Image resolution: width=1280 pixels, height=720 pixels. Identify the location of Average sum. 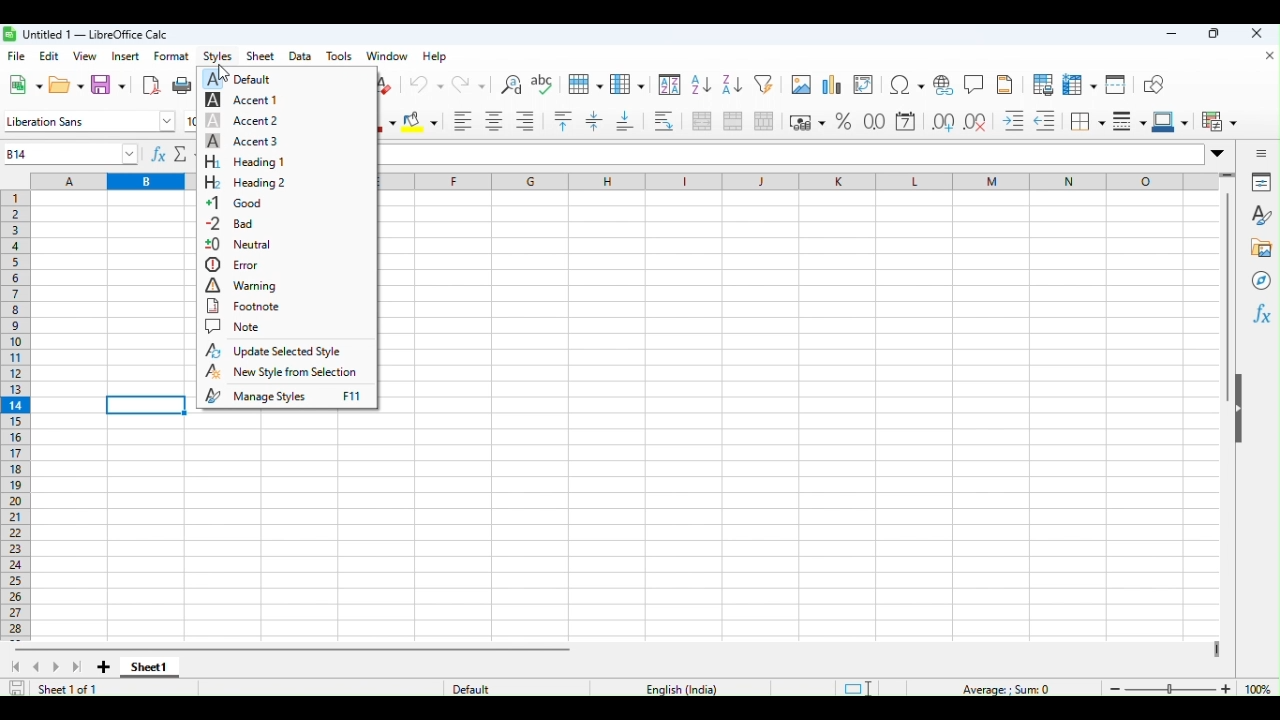
(994, 688).